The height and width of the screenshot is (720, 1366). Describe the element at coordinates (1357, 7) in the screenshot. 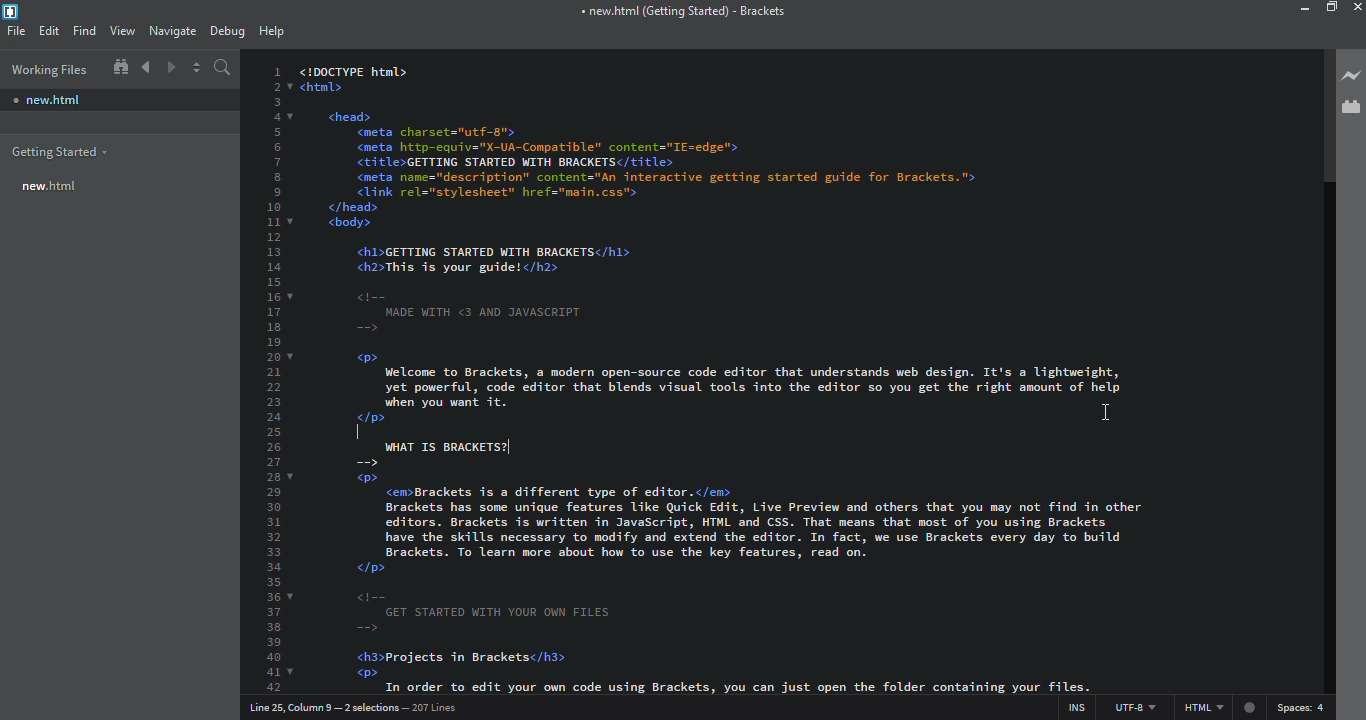

I see `close` at that location.